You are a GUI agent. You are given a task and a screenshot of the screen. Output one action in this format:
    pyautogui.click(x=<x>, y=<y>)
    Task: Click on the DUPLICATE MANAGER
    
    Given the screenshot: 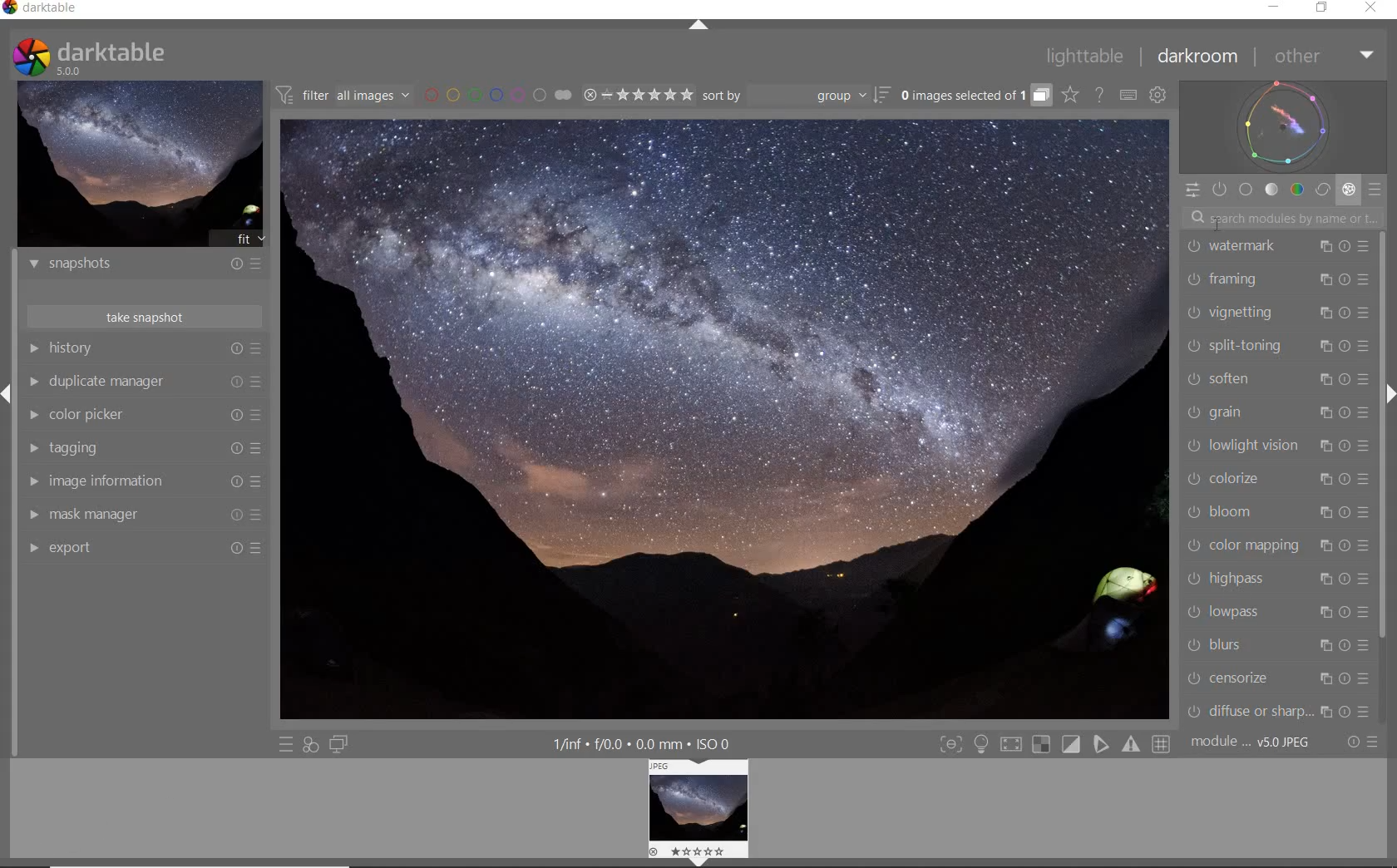 What is the action you would take?
    pyautogui.click(x=36, y=382)
    